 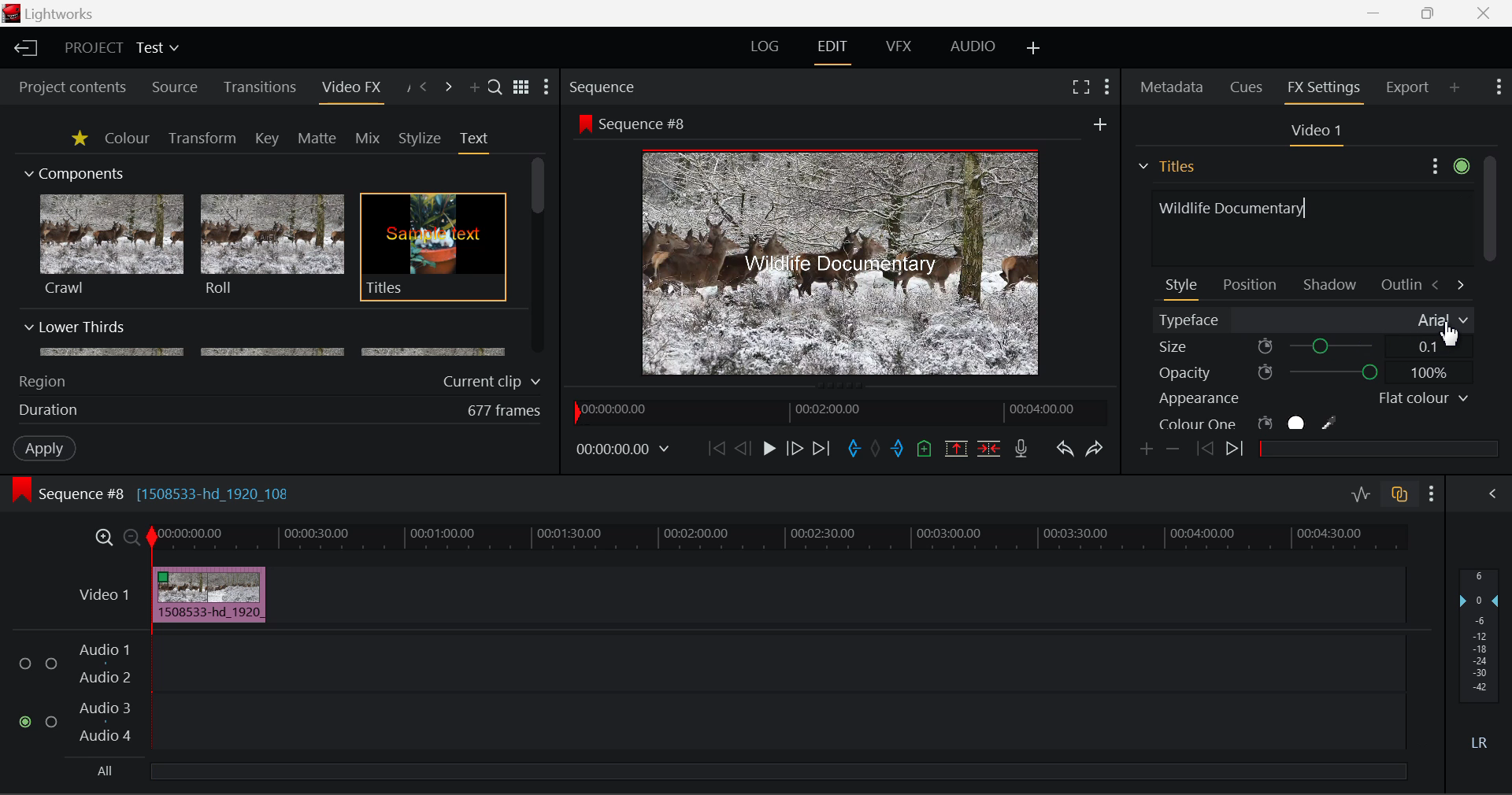 I want to click on Opacity, so click(x=1314, y=372).